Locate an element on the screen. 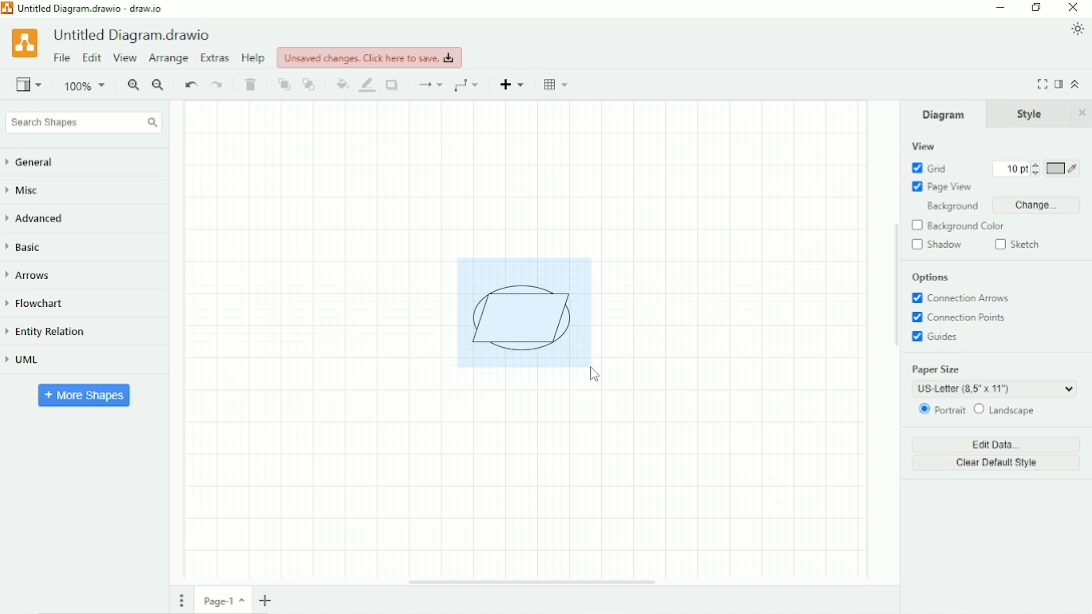 The width and height of the screenshot is (1092, 614). Arrange is located at coordinates (168, 59).